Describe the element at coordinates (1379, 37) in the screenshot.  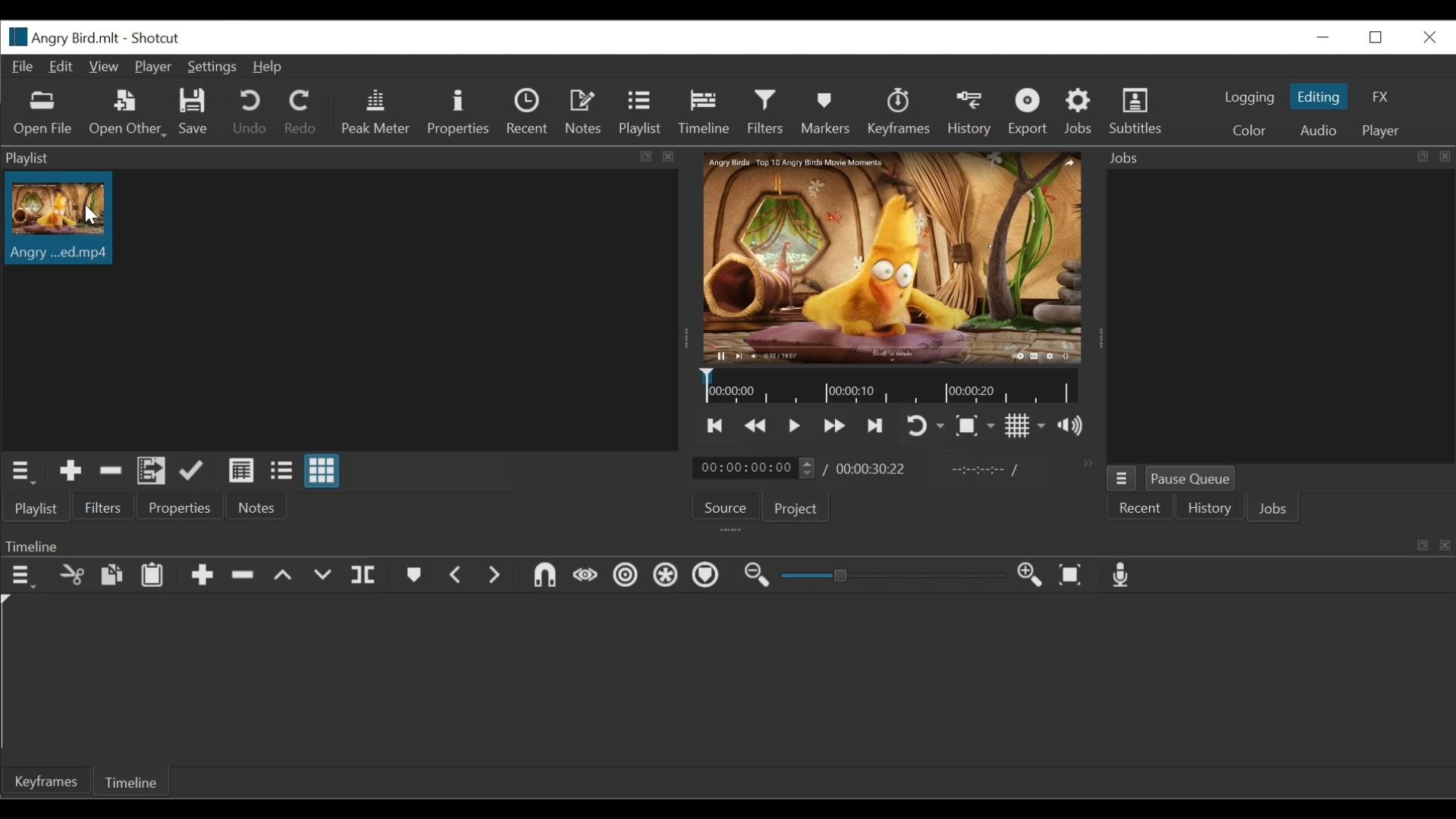
I see `Restore` at that location.